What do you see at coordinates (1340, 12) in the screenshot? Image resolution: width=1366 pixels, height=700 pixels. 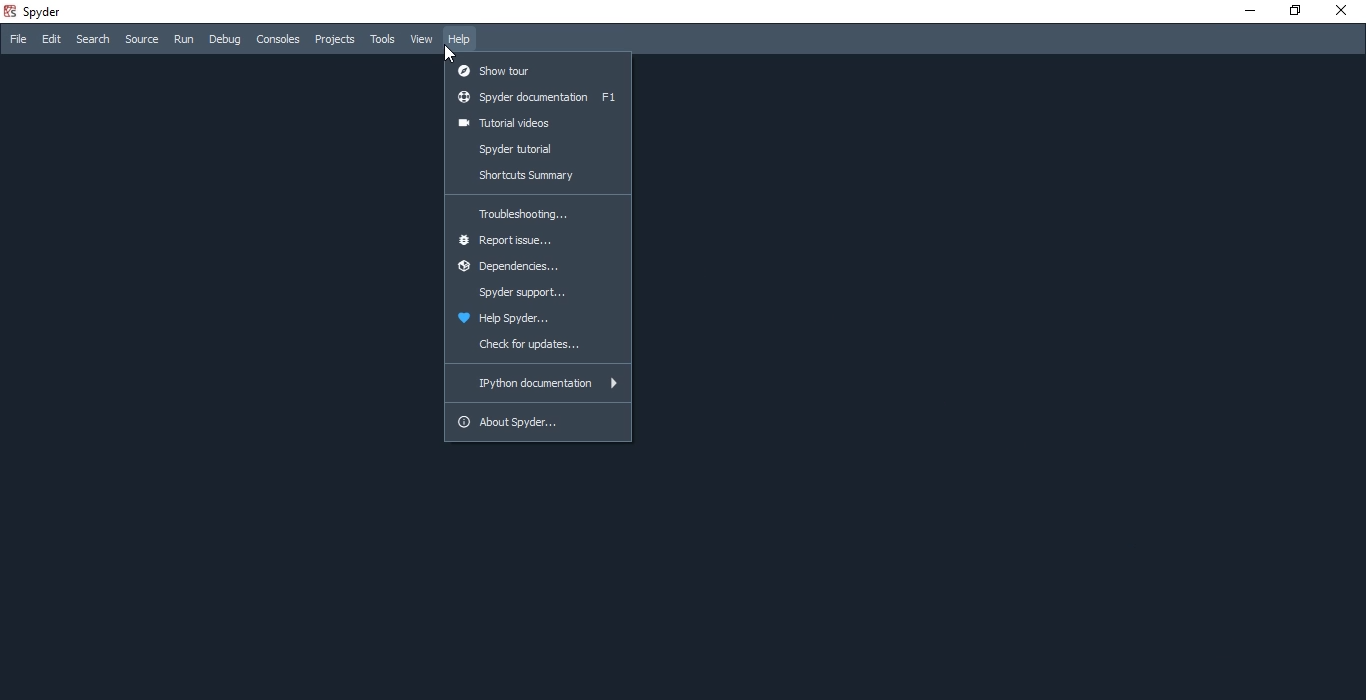 I see `close` at bounding box center [1340, 12].